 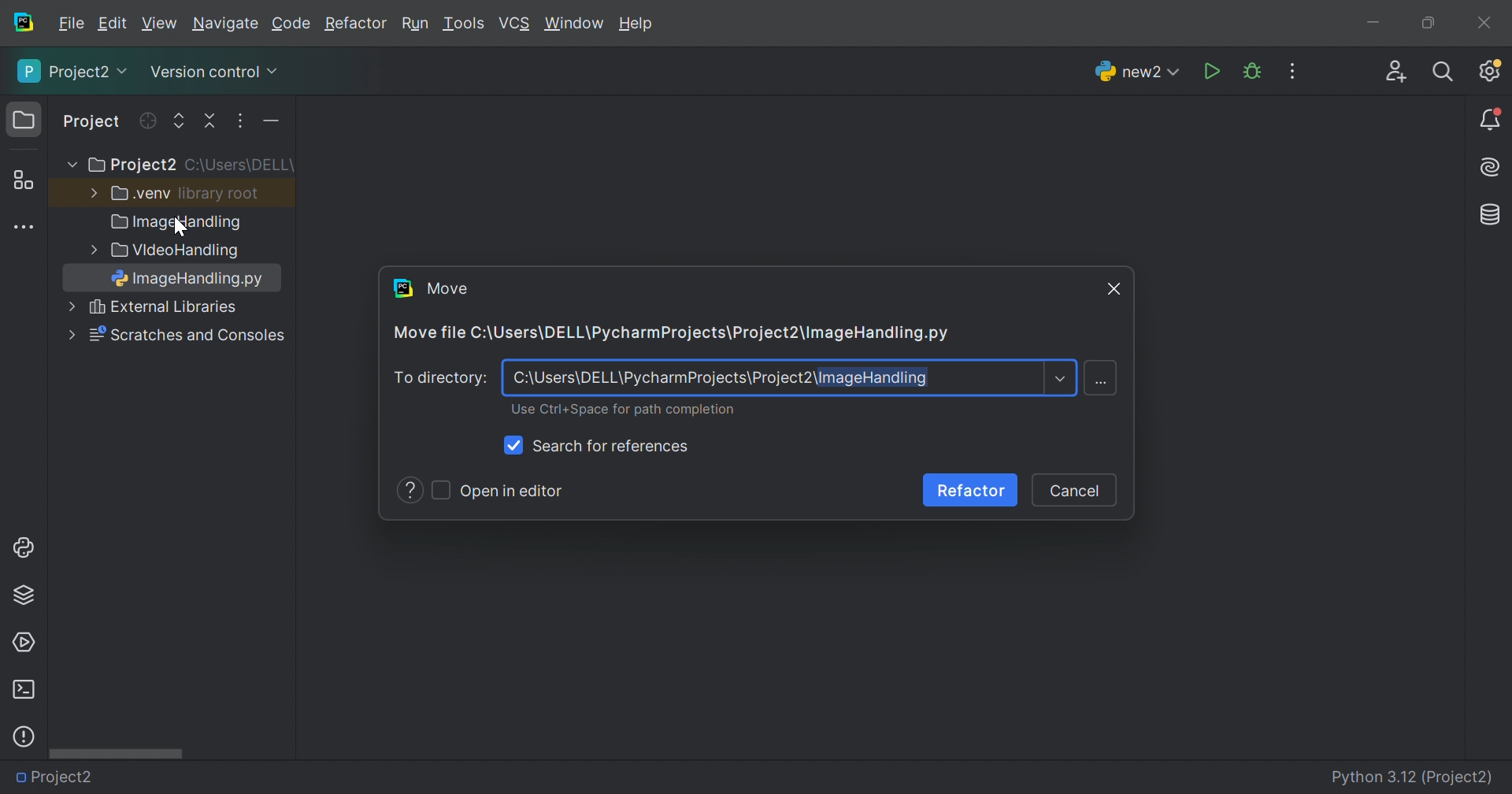 I want to click on Problems, so click(x=24, y=736).